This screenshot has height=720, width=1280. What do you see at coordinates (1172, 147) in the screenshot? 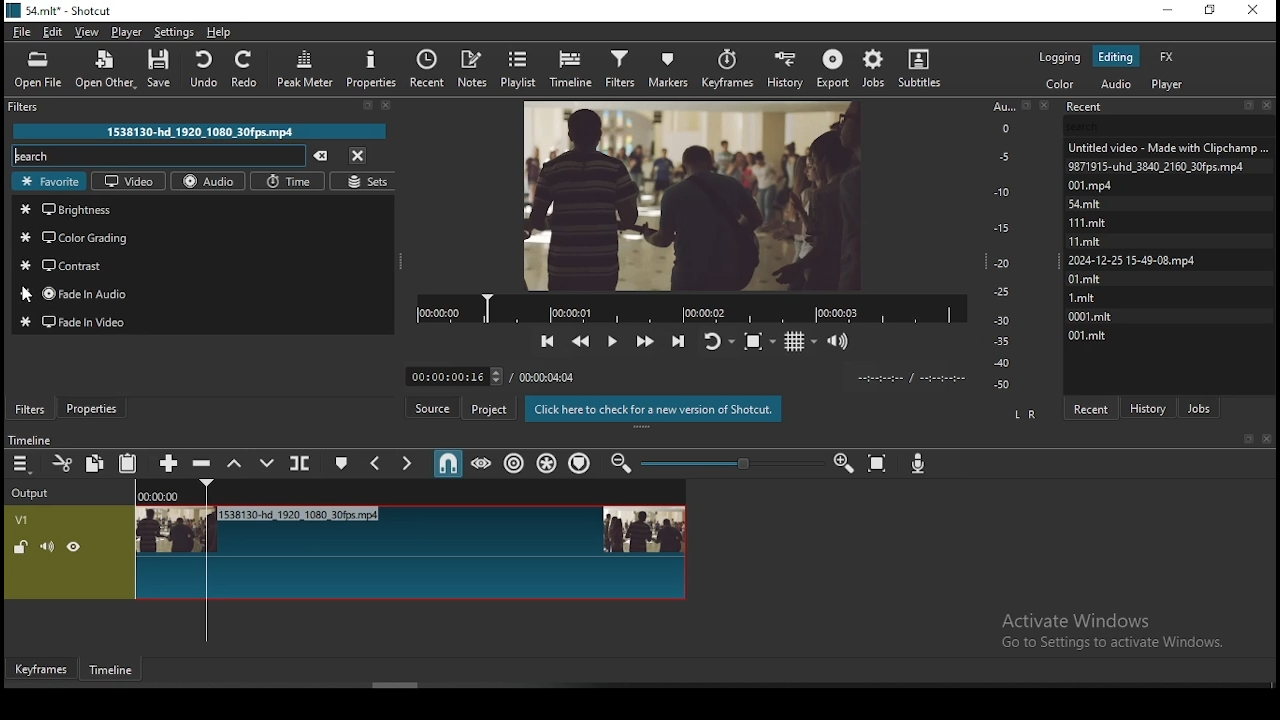
I see `Untitled video - Made with Clipchamp...` at bounding box center [1172, 147].